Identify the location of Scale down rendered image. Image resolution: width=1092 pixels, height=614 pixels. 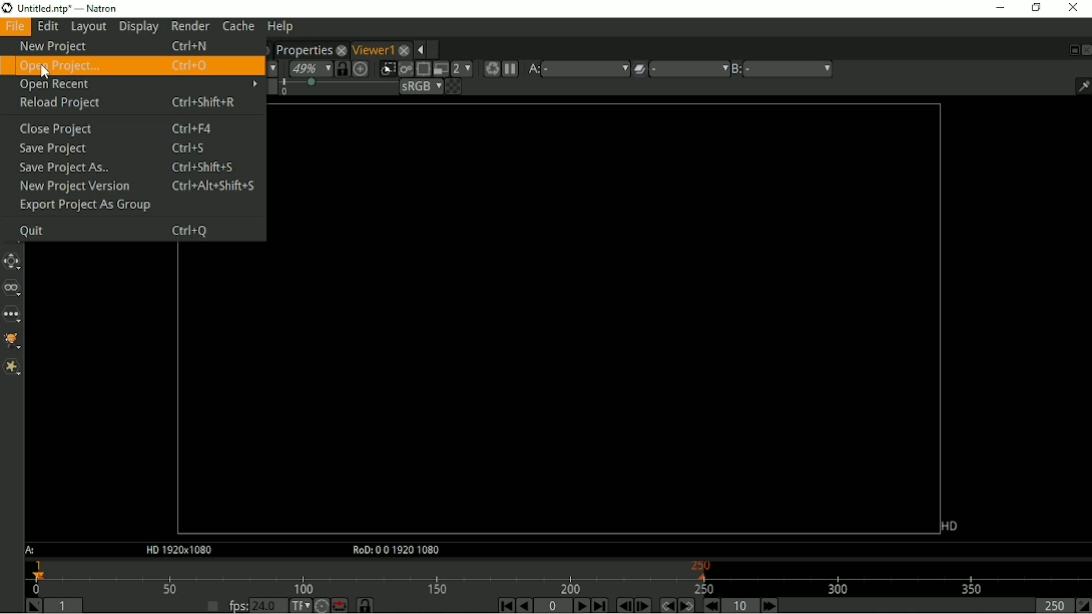
(462, 68).